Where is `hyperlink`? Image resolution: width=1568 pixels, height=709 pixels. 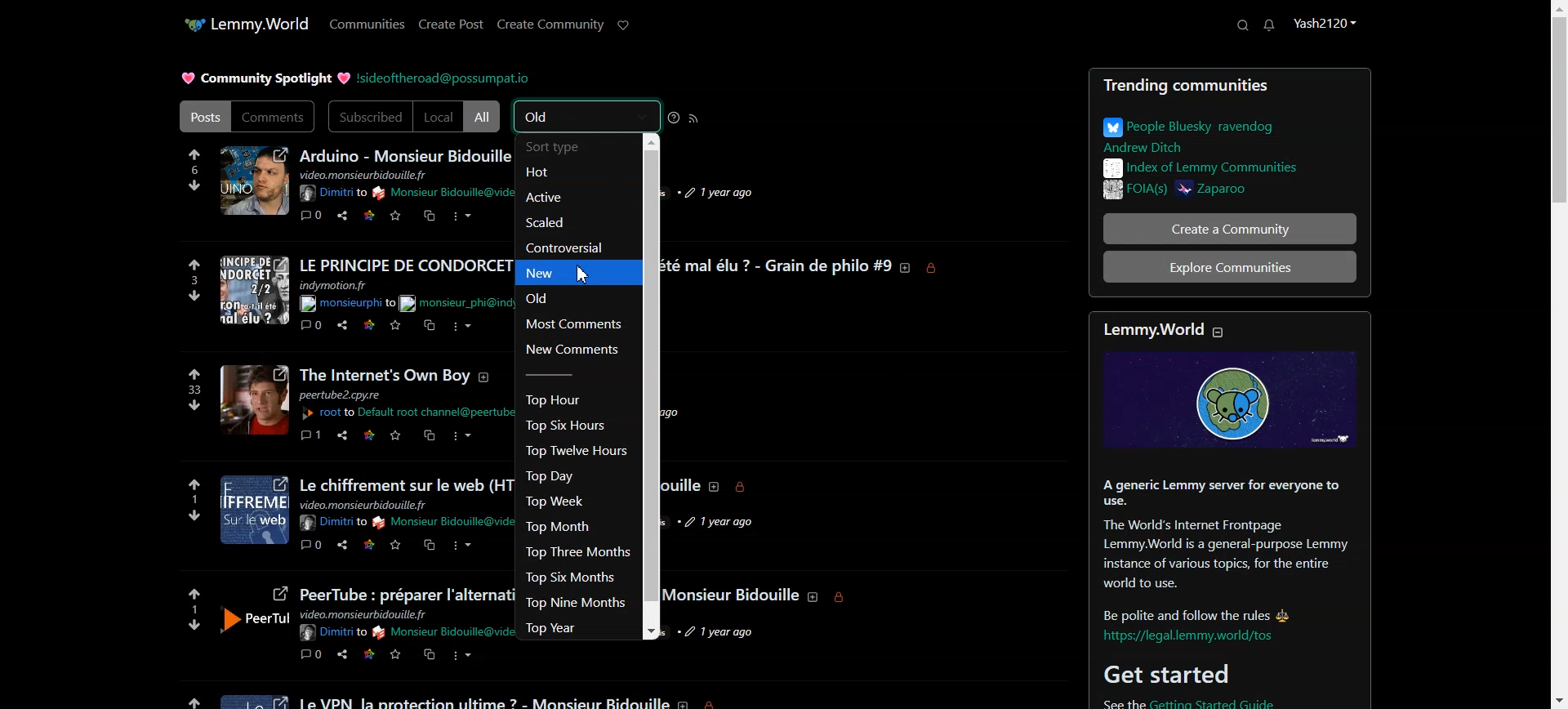
hyperlink is located at coordinates (1193, 637).